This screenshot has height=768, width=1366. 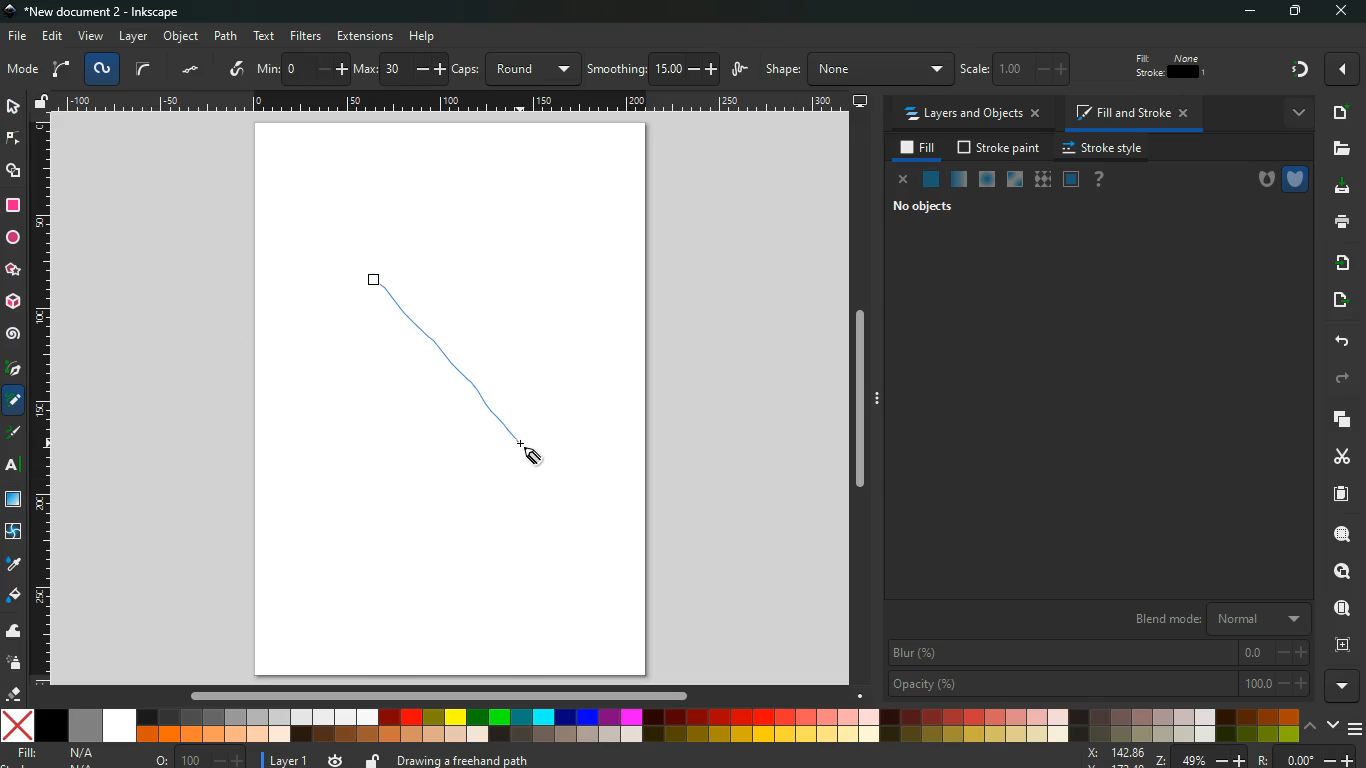 What do you see at coordinates (1135, 111) in the screenshot?
I see `fill and stroke` at bounding box center [1135, 111].